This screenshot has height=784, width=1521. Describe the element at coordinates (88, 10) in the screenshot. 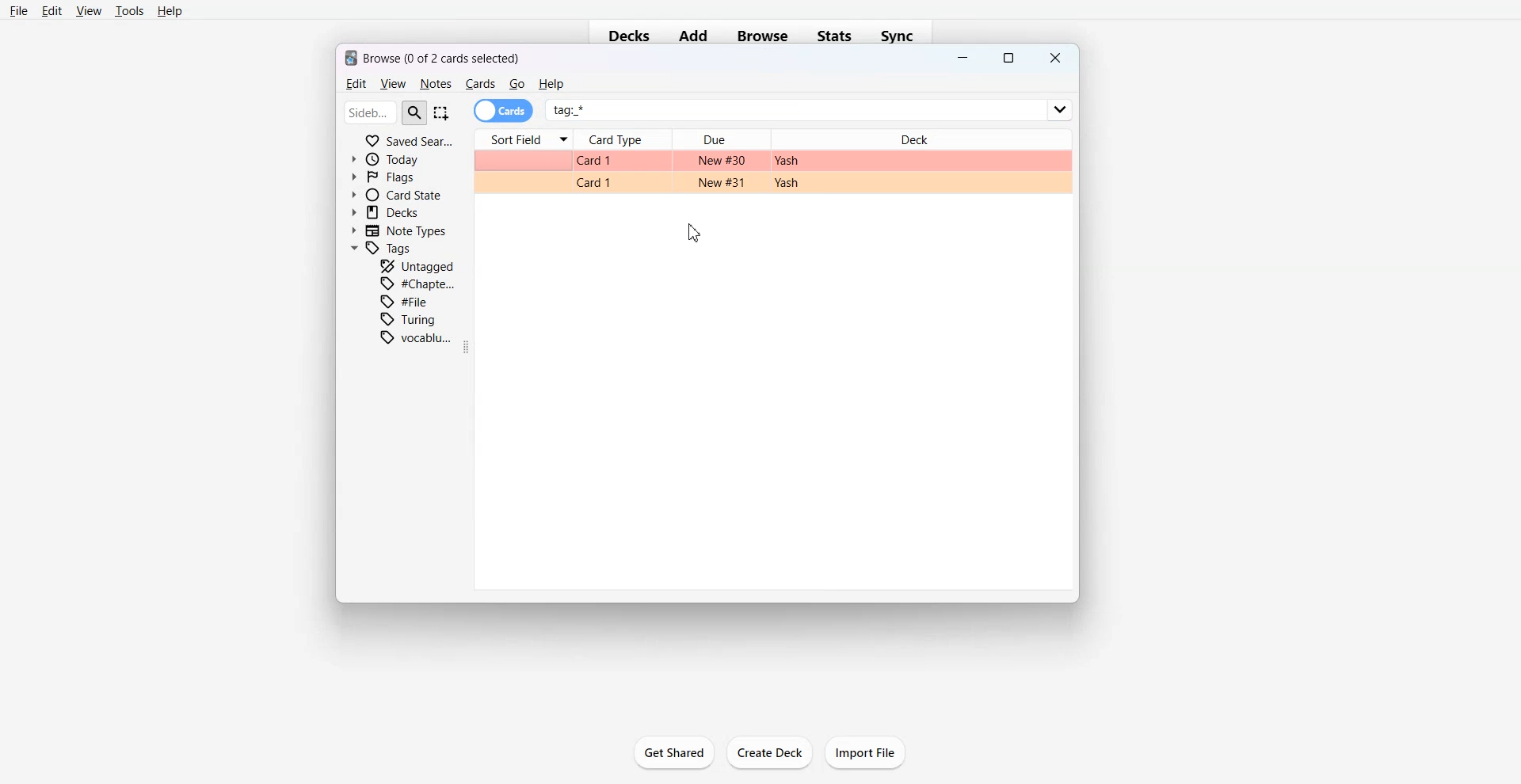

I see `View` at that location.